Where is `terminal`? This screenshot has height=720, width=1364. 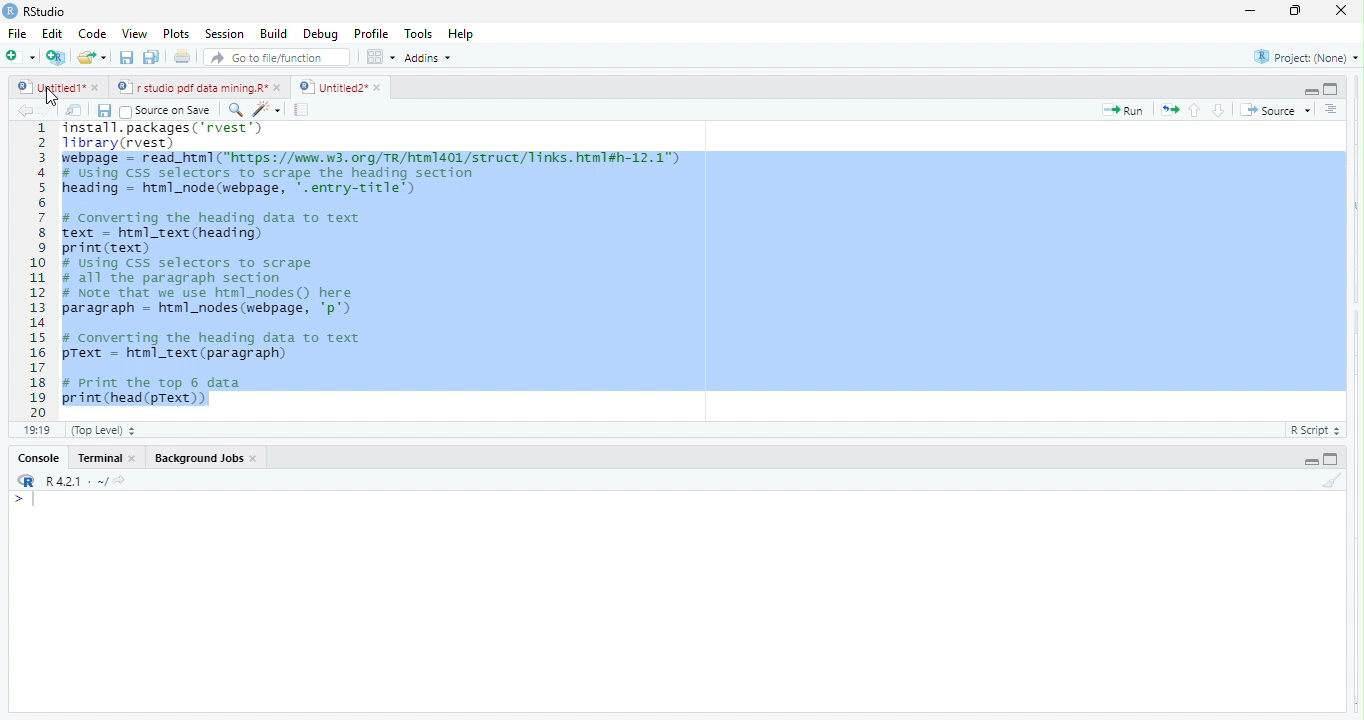 terminal is located at coordinates (102, 458).